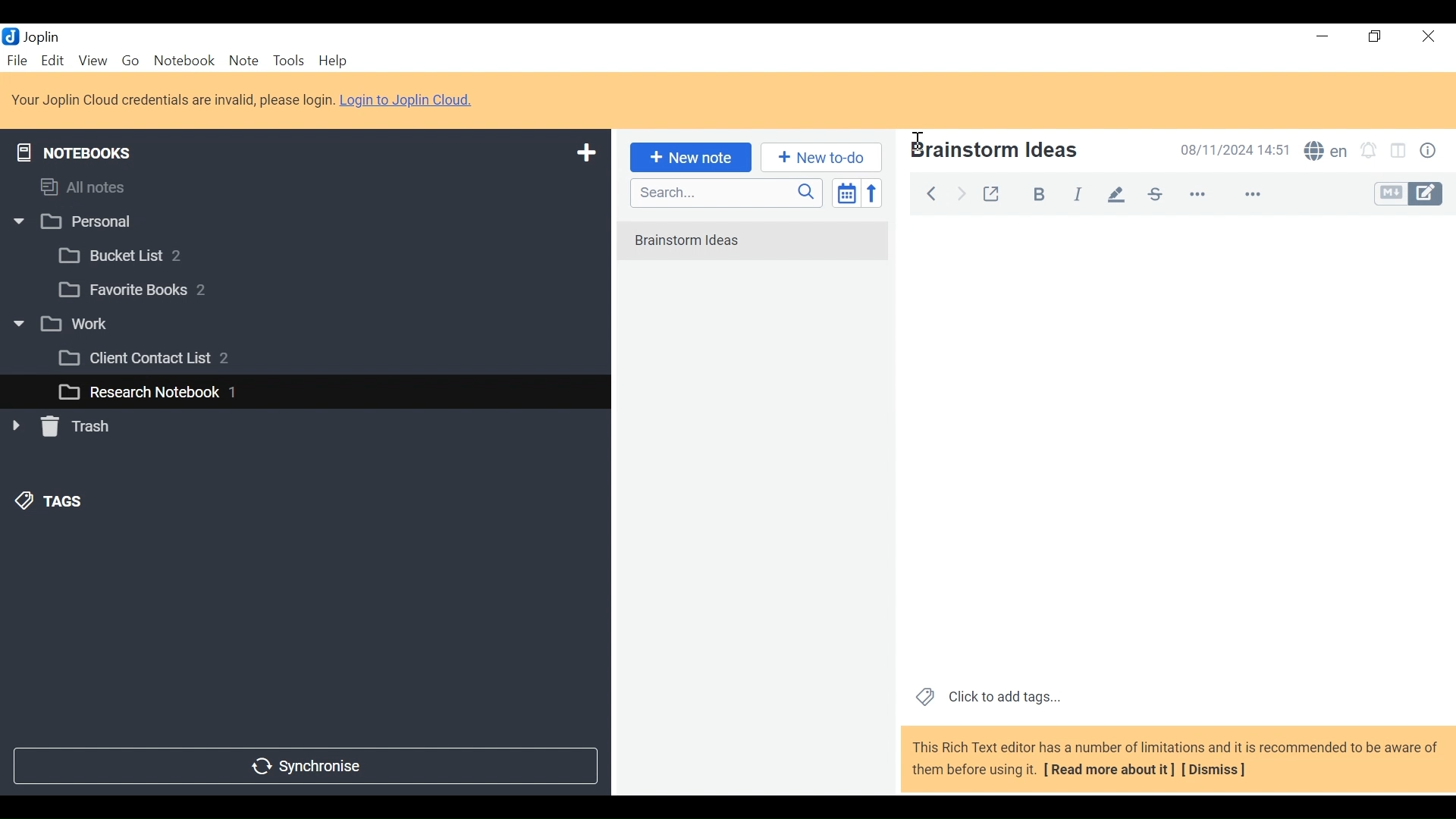 Image resolution: width=1456 pixels, height=819 pixels. I want to click on L_] Research Notebook, so click(138, 393).